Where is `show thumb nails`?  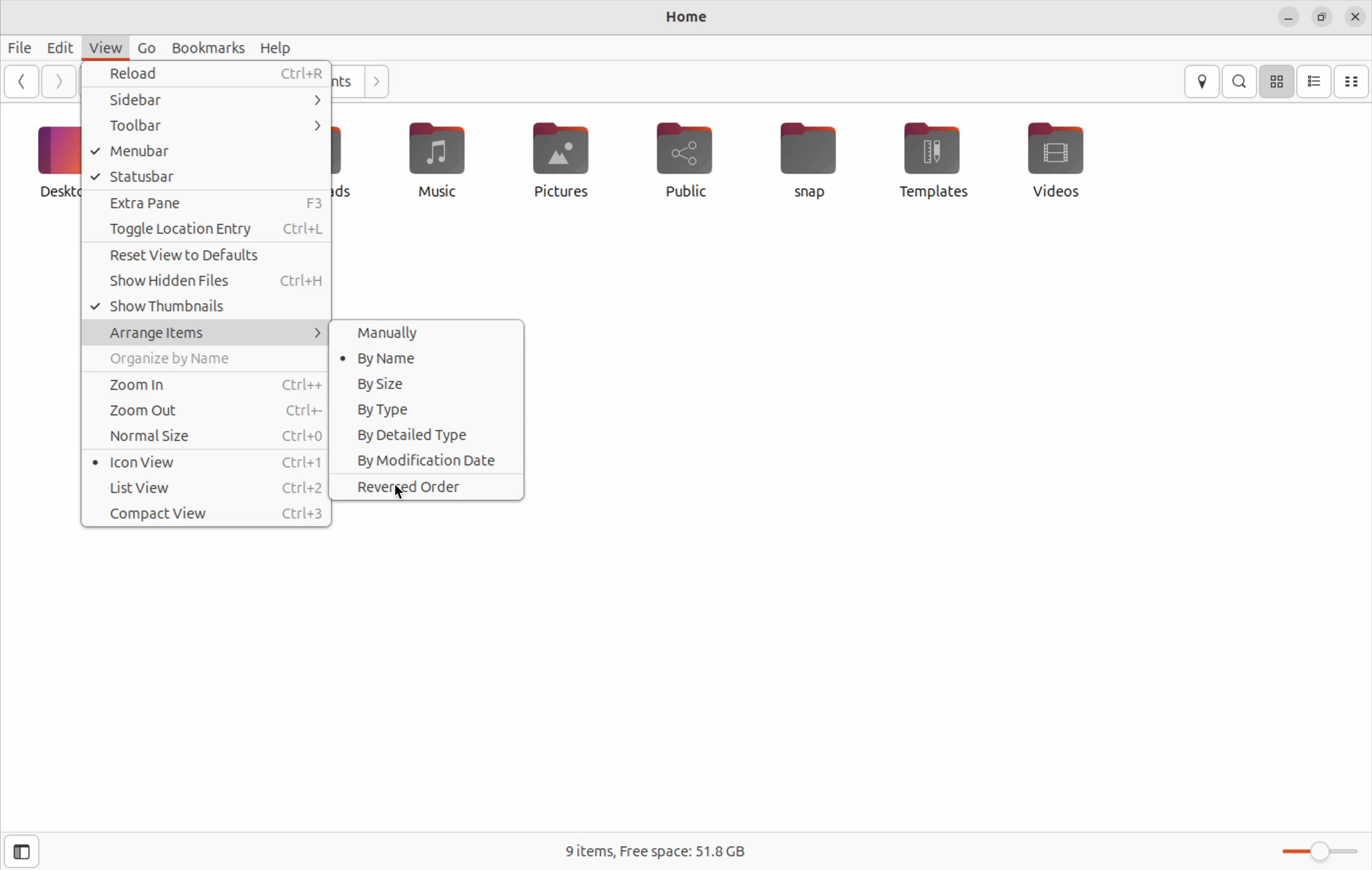 show thumb nails is located at coordinates (206, 305).